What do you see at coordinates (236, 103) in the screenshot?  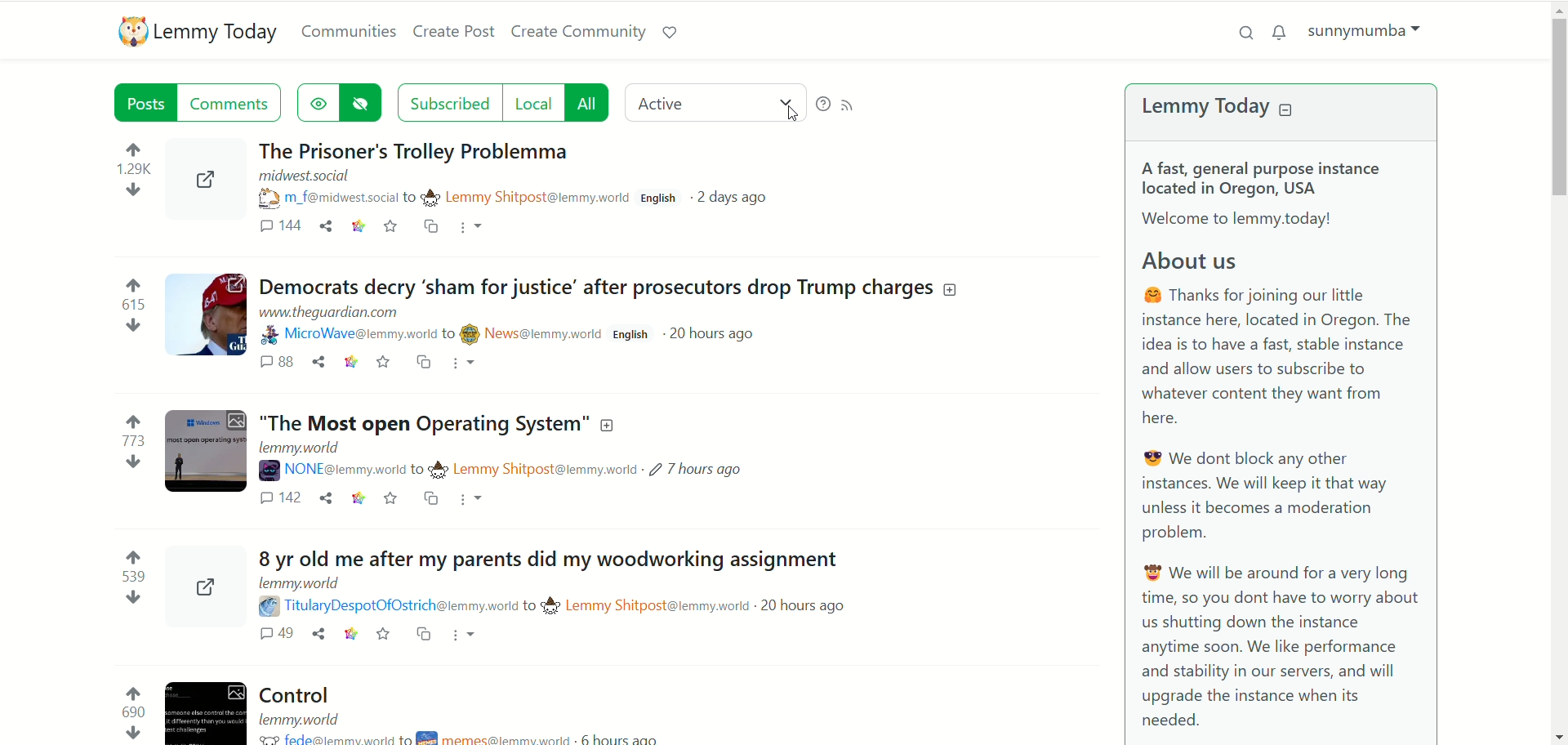 I see `comments` at bounding box center [236, 103].